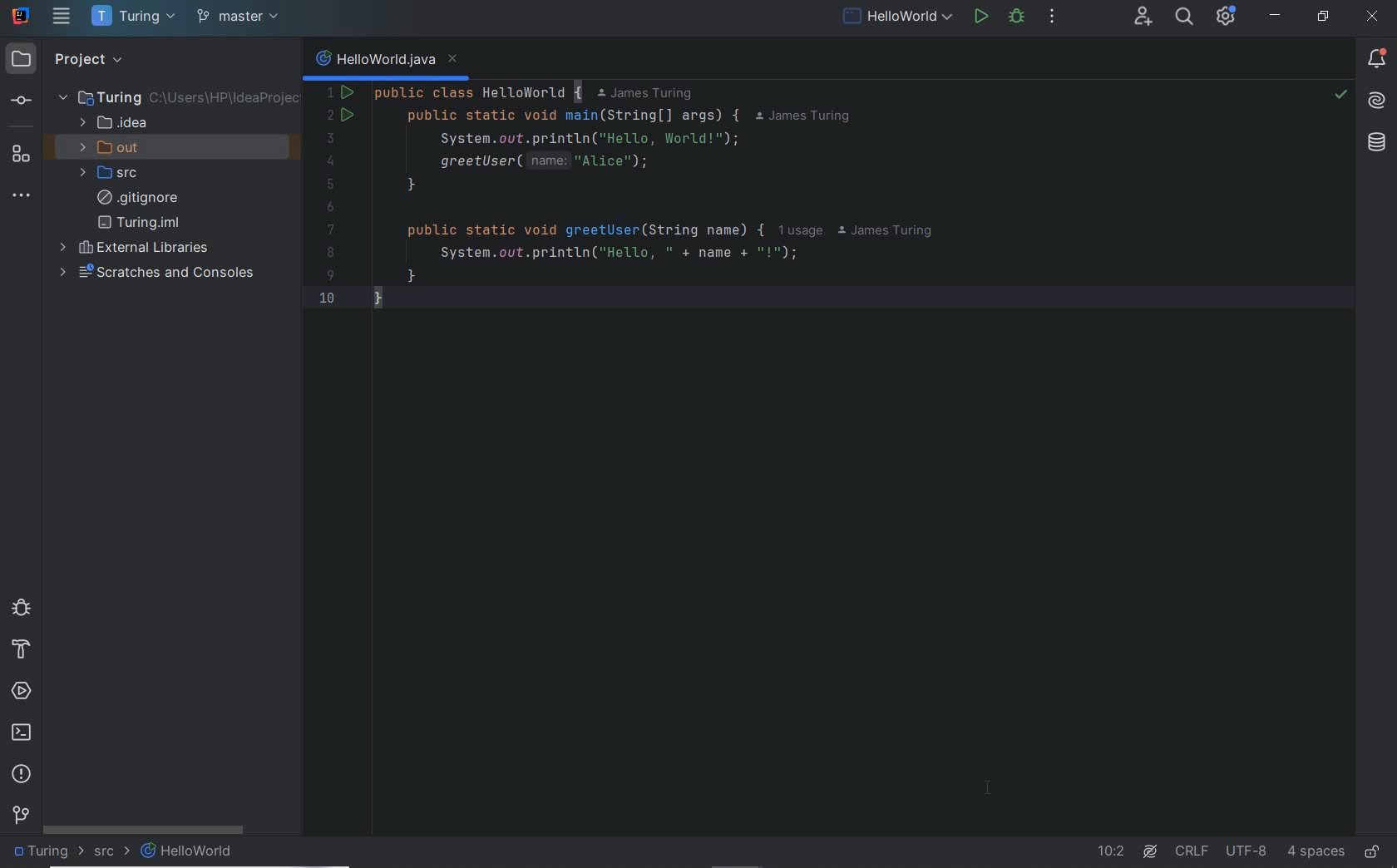 This screenshot has height=868, width=1397. I want to click on CLOSE, so click(1370, 17).